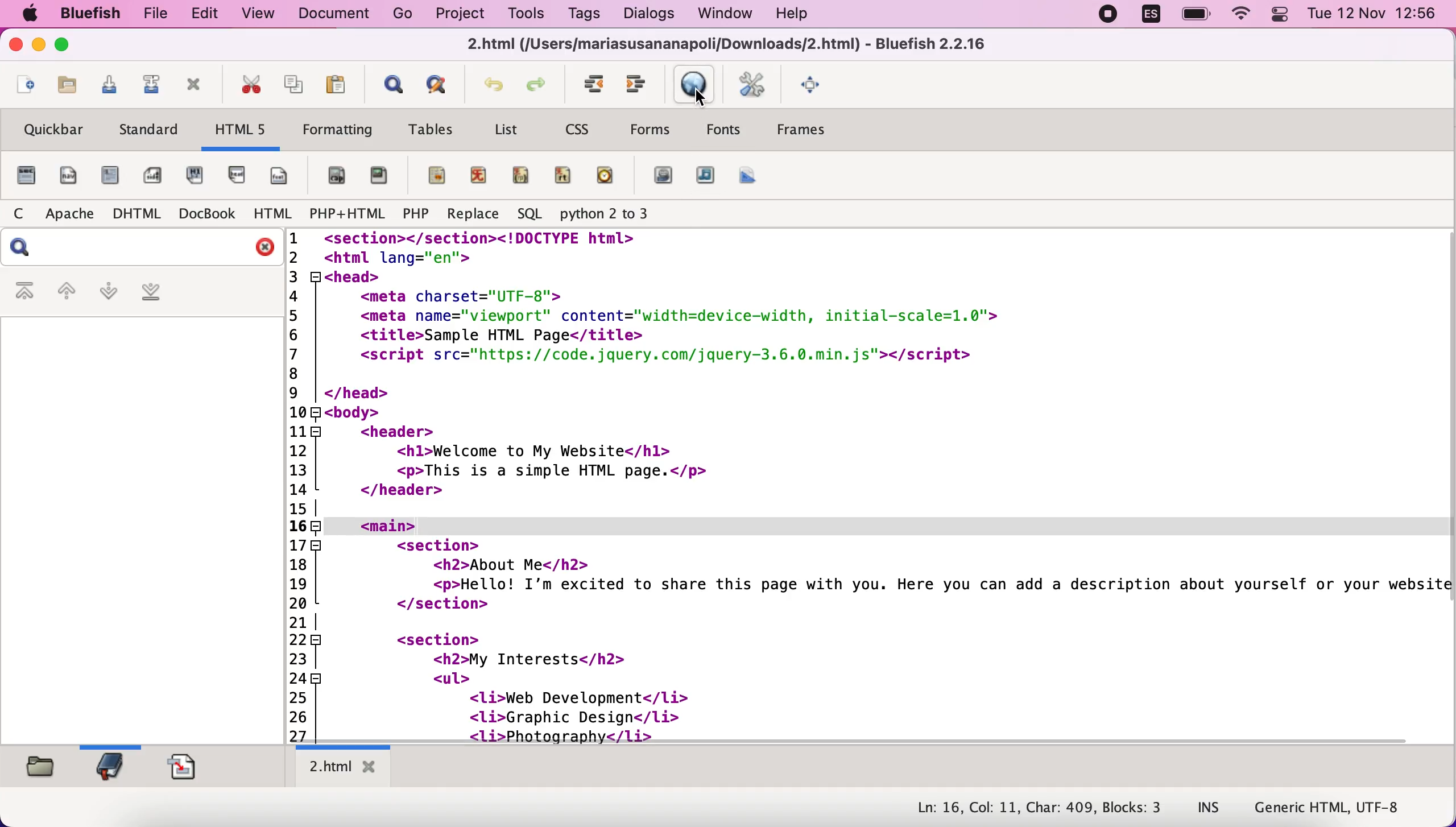  I want to click on This is an HTML code for a portfolio website which welcomes people to it and mentions the interests of the owner of the website., so click(872, 483).